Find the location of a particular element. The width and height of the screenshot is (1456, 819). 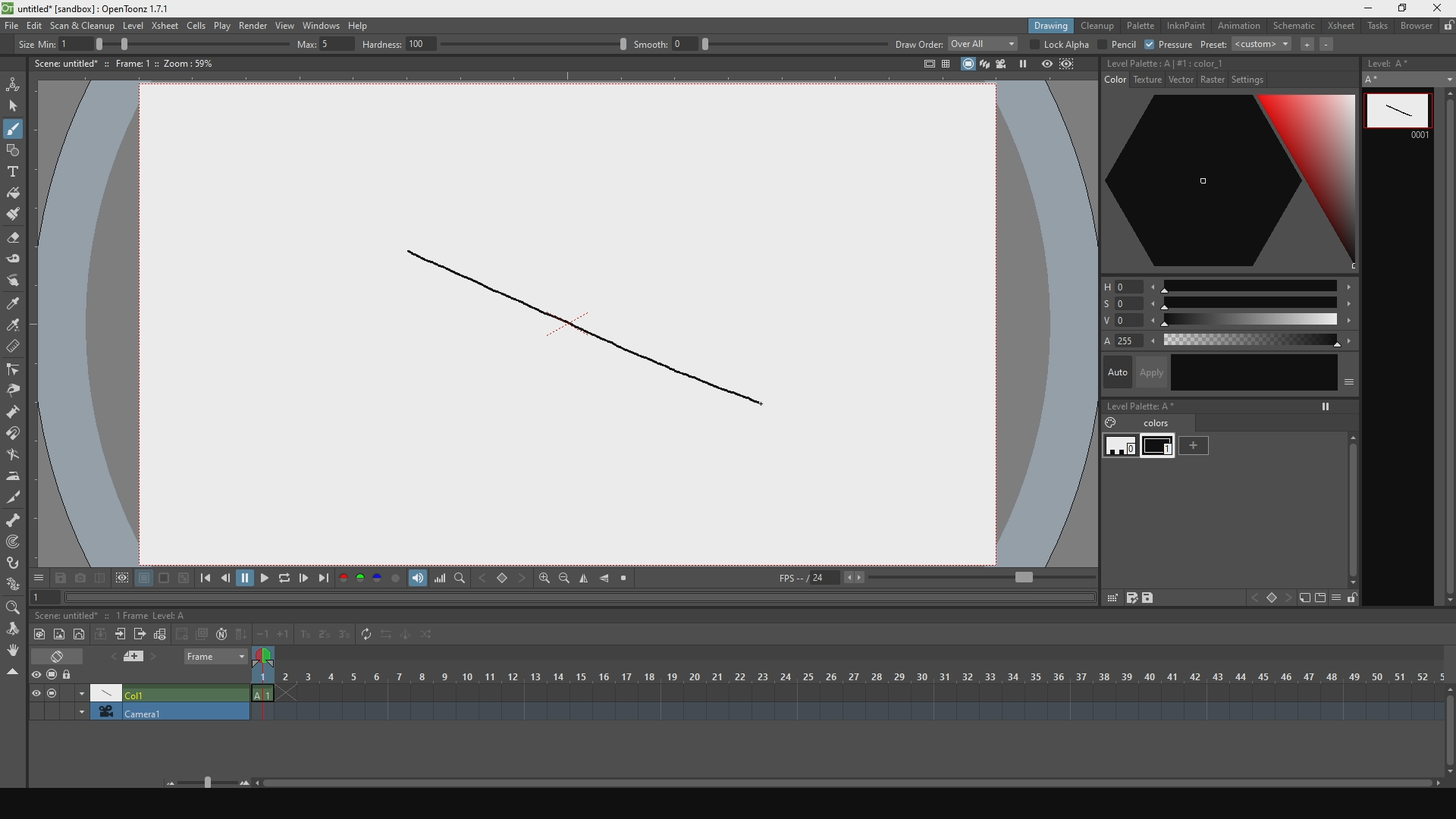

camera is located at coordinates (1003, 64).